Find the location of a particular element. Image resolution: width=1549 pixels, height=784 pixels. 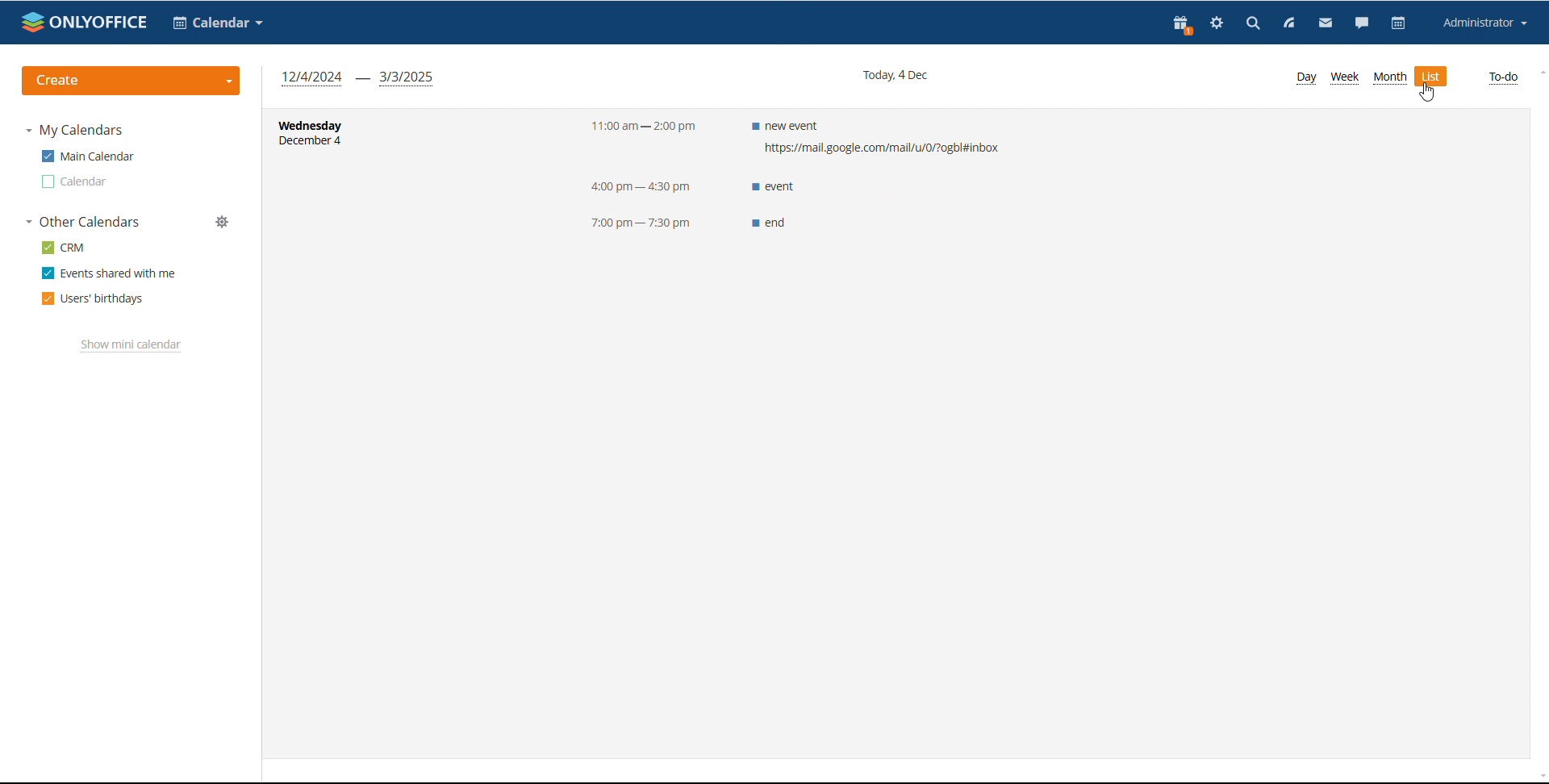

select application is located at coordinates (219, 23).